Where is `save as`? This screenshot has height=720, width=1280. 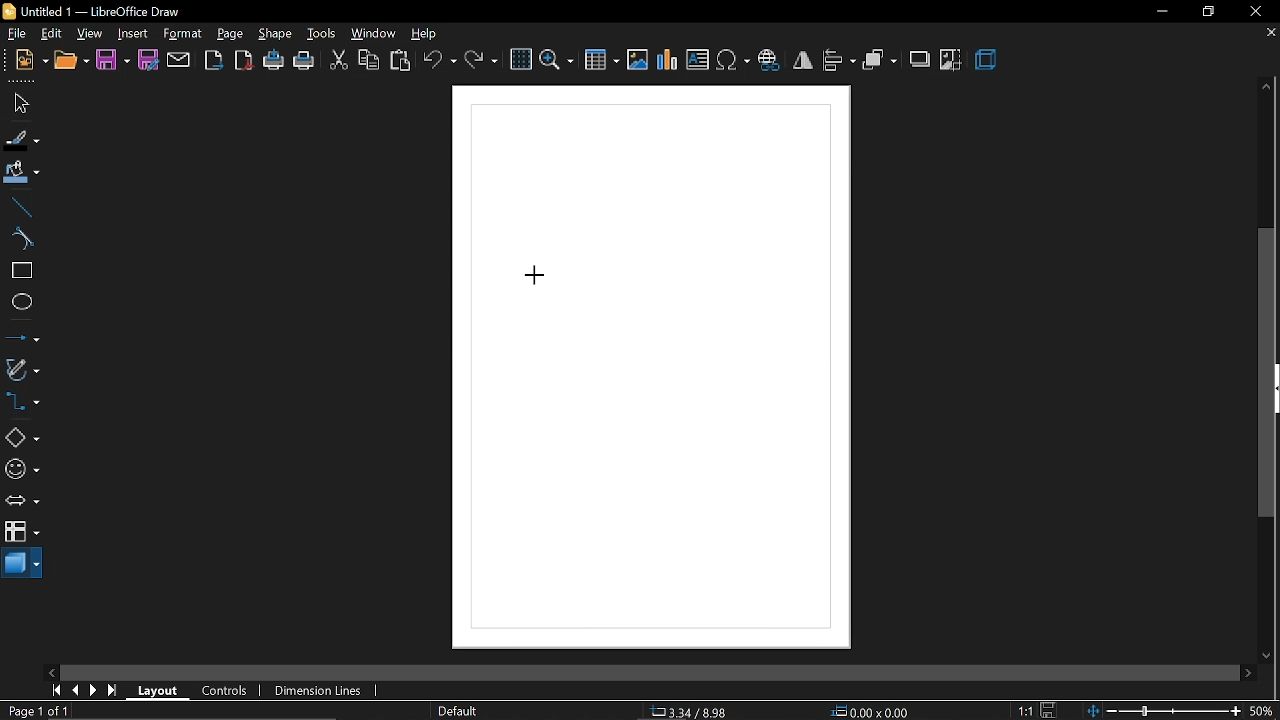 save as is located at coordinates (149, 60).